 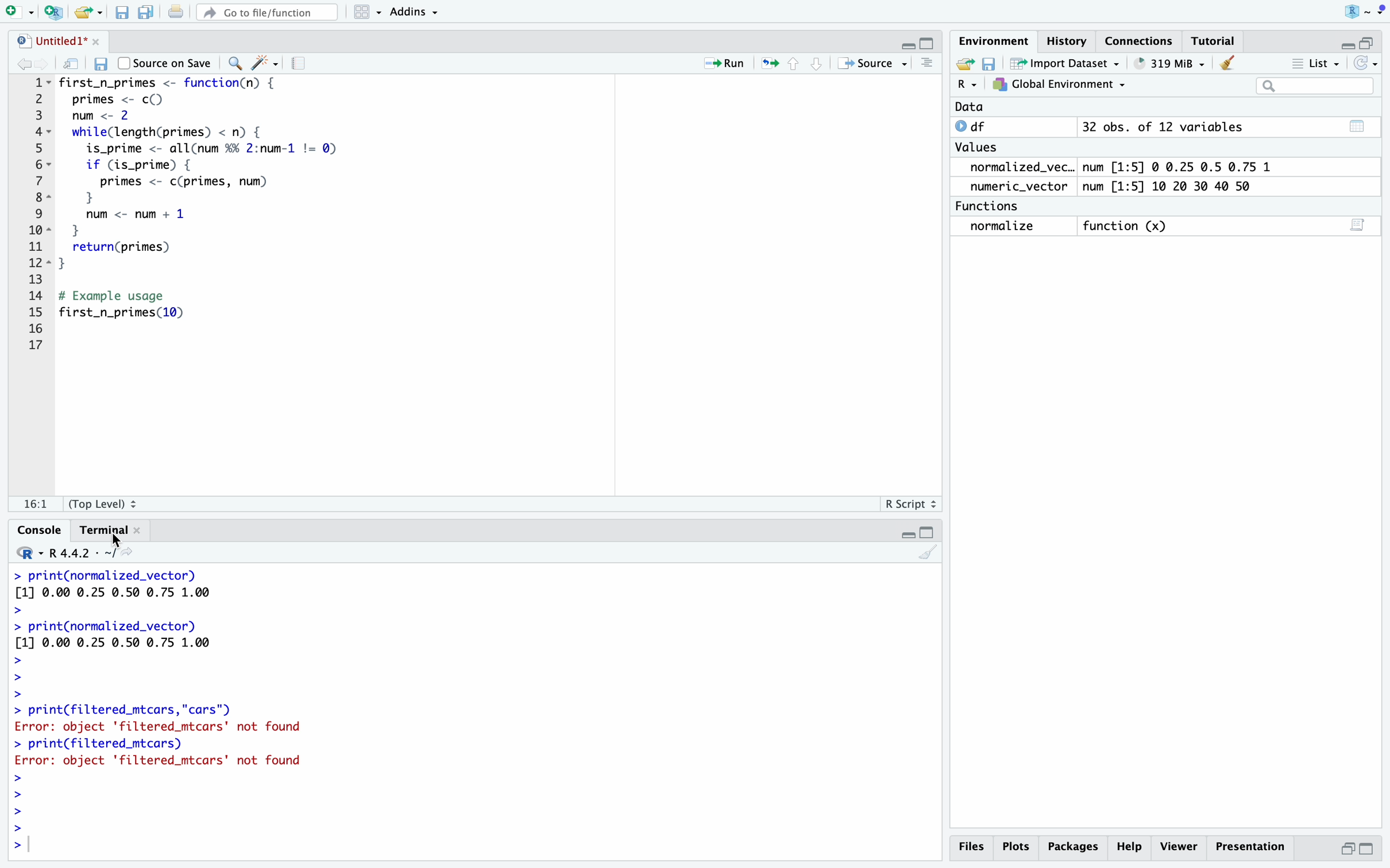 I want to click on Source on Save, so click(x=165, y=61).